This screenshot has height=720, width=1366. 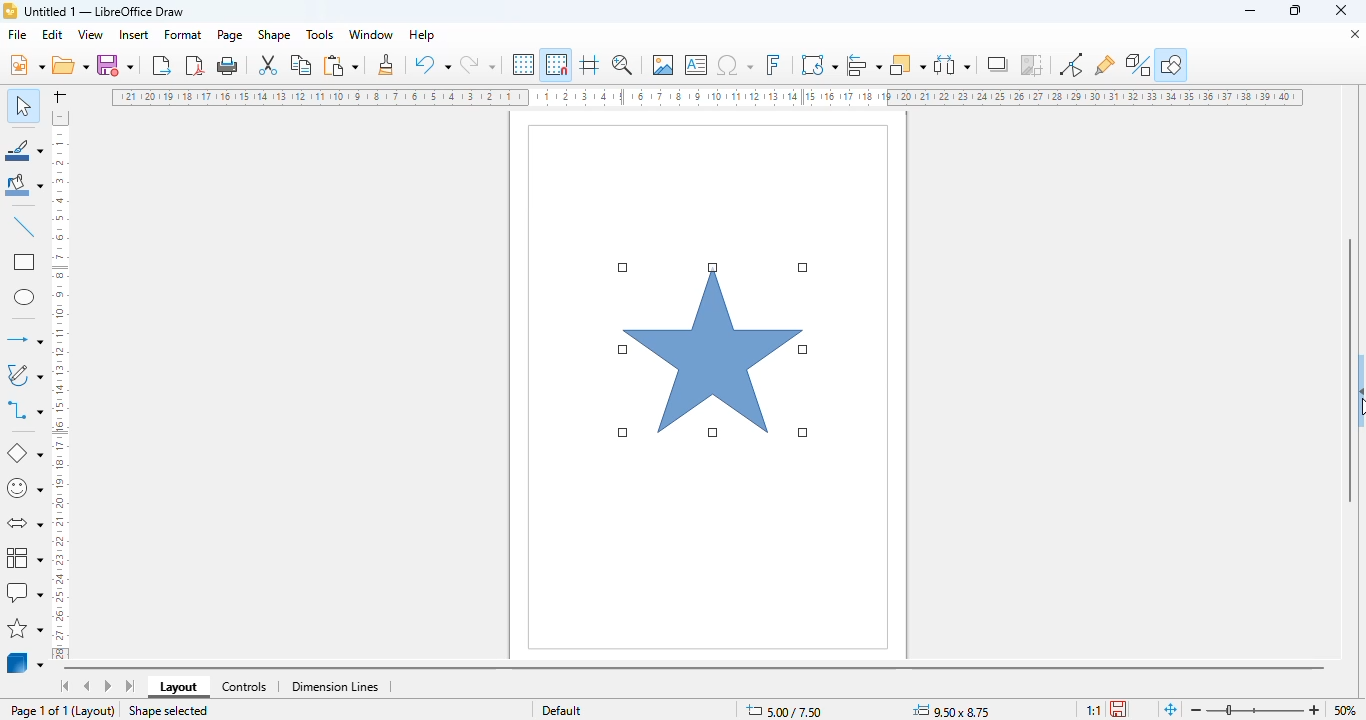 I want to click on file, so click(x=18, y=34).